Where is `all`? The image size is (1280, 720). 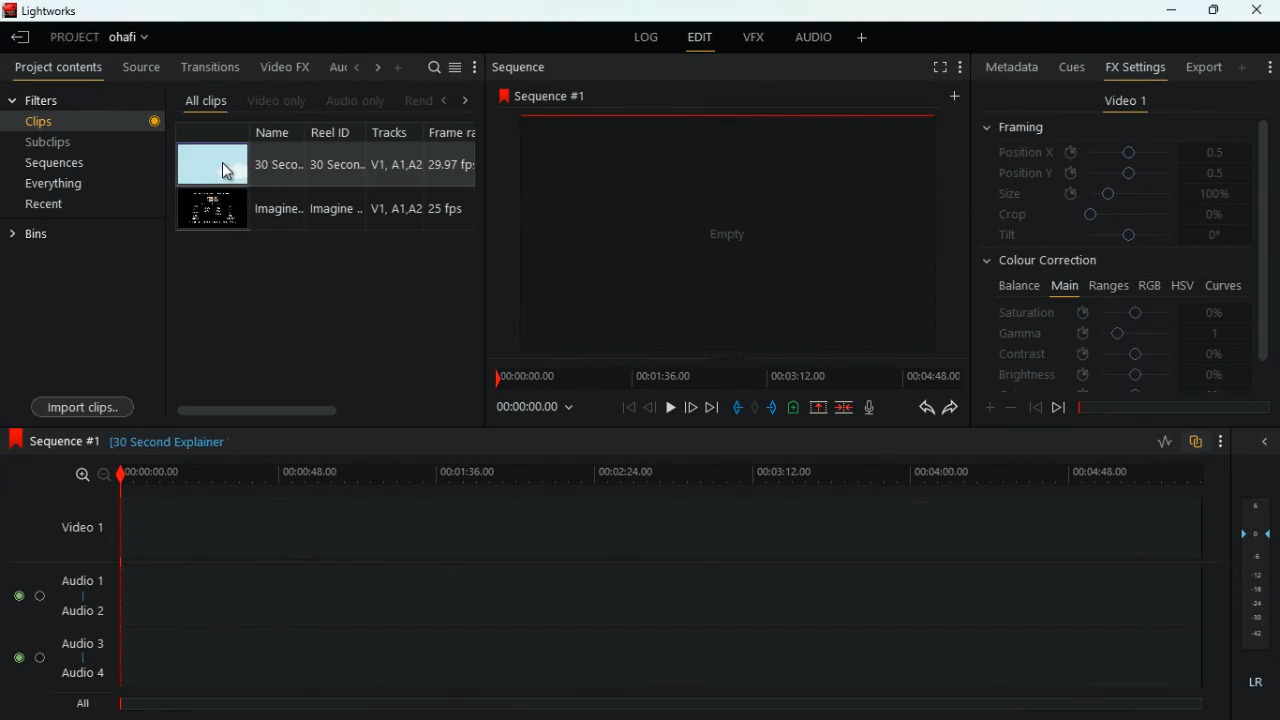
all is located at coordinates (78, 706).